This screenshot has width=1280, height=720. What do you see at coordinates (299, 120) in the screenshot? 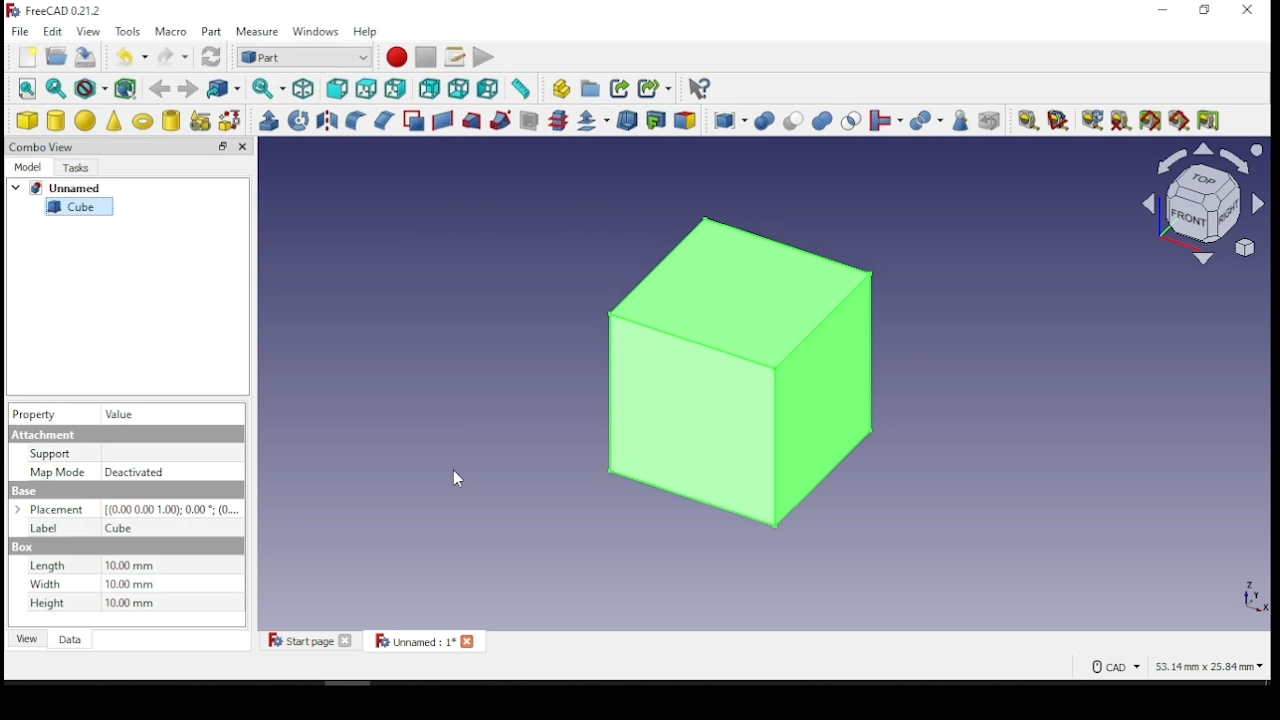
I see `revolve` at bounding box center [299, 120].